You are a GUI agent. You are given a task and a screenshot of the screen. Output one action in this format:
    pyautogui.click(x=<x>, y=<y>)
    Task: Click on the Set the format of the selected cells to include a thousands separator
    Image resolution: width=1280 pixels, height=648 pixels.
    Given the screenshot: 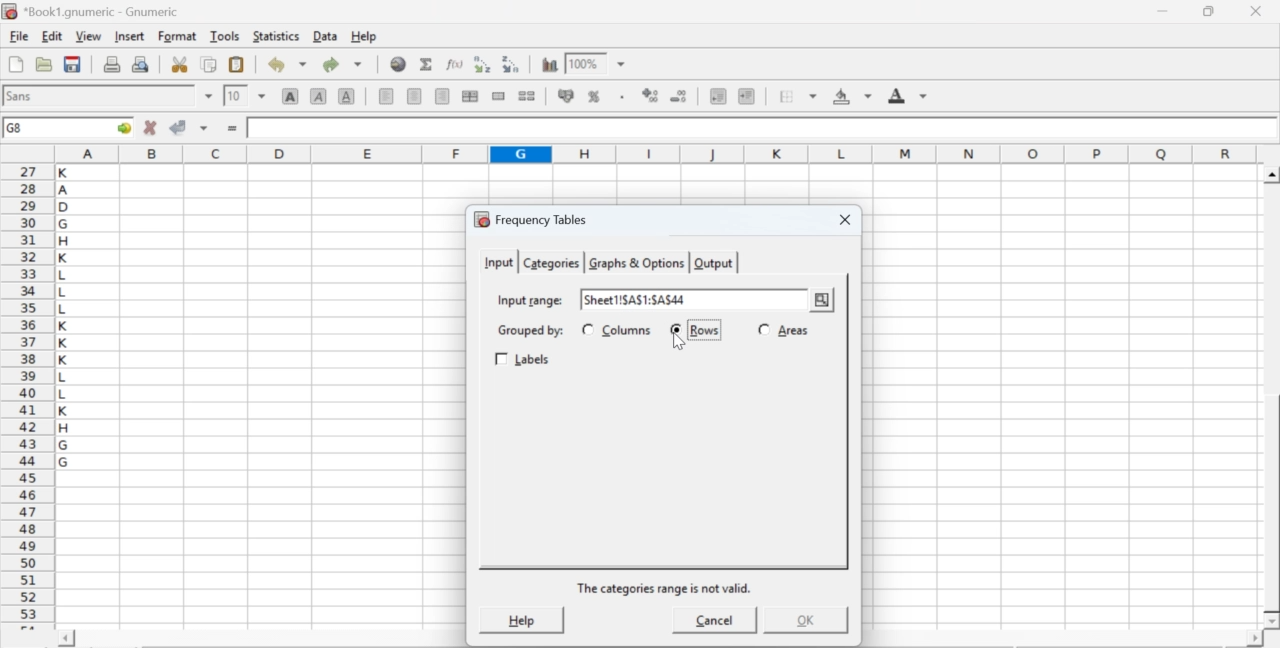 What is the action you would take?
    pyautogui.click(x=620, y=97)
    